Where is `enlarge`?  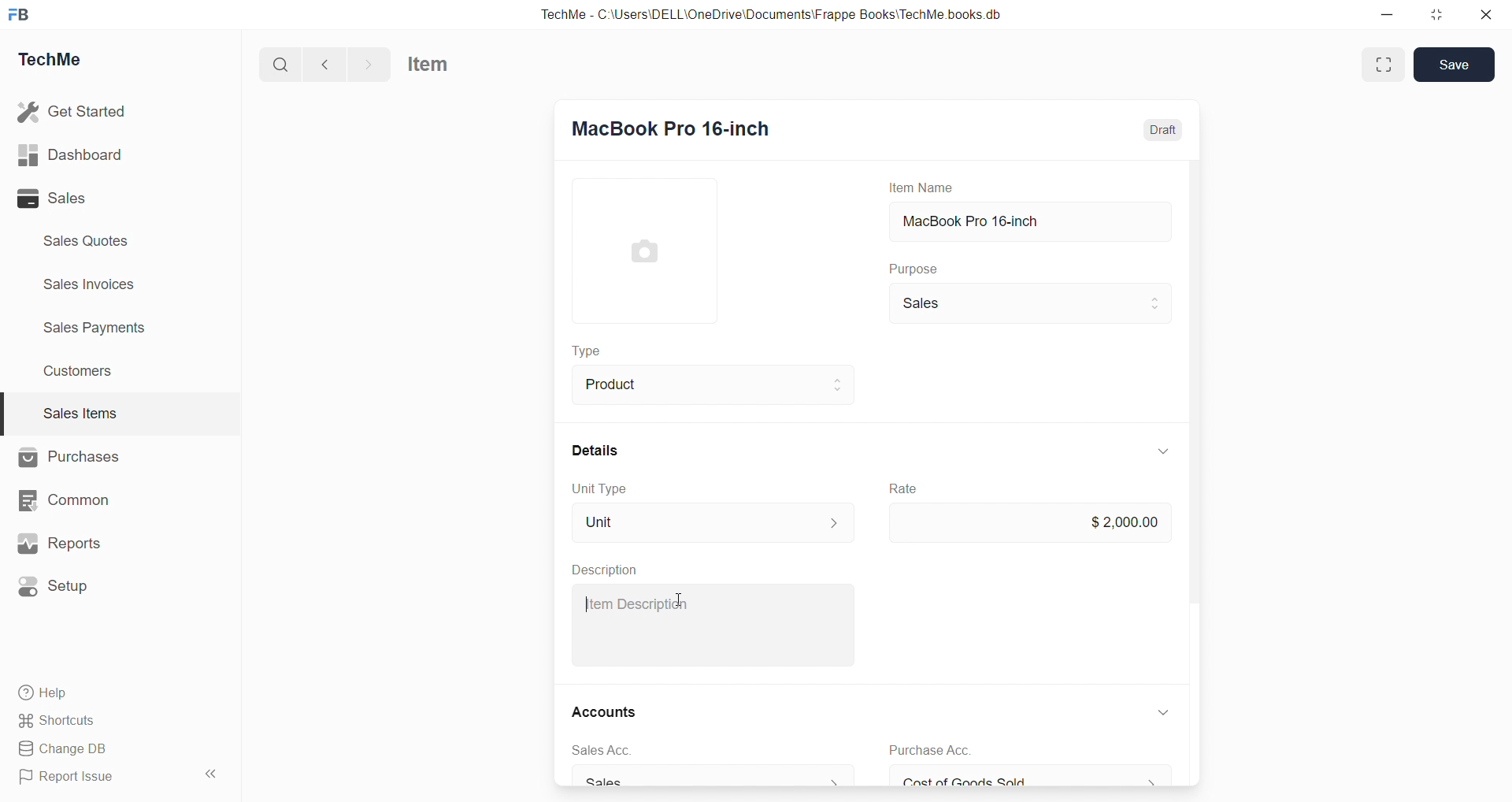 enlarge is located at coordinates (1384, 65).